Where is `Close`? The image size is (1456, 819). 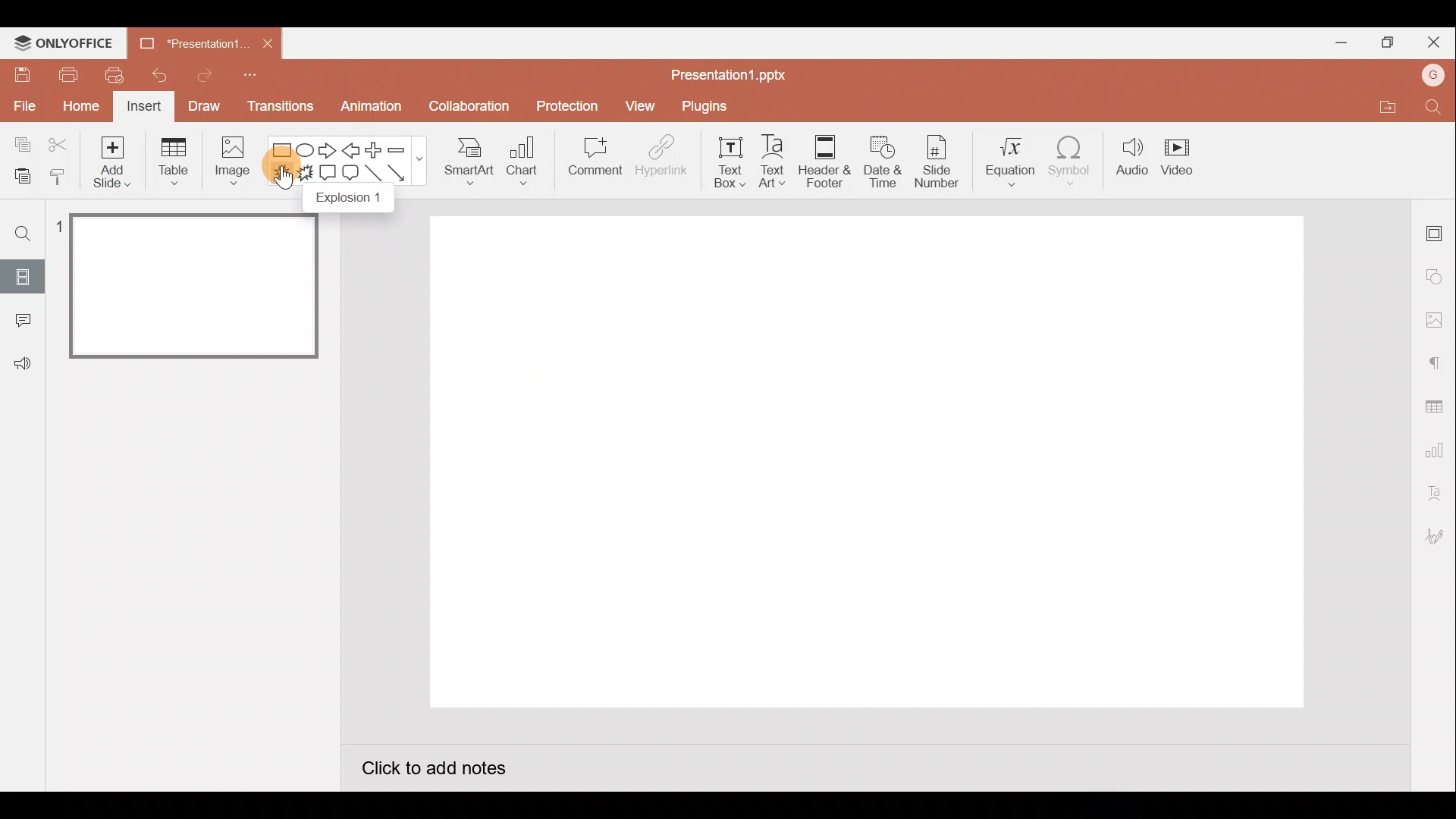
Close is located at coordinates (1433, 37).